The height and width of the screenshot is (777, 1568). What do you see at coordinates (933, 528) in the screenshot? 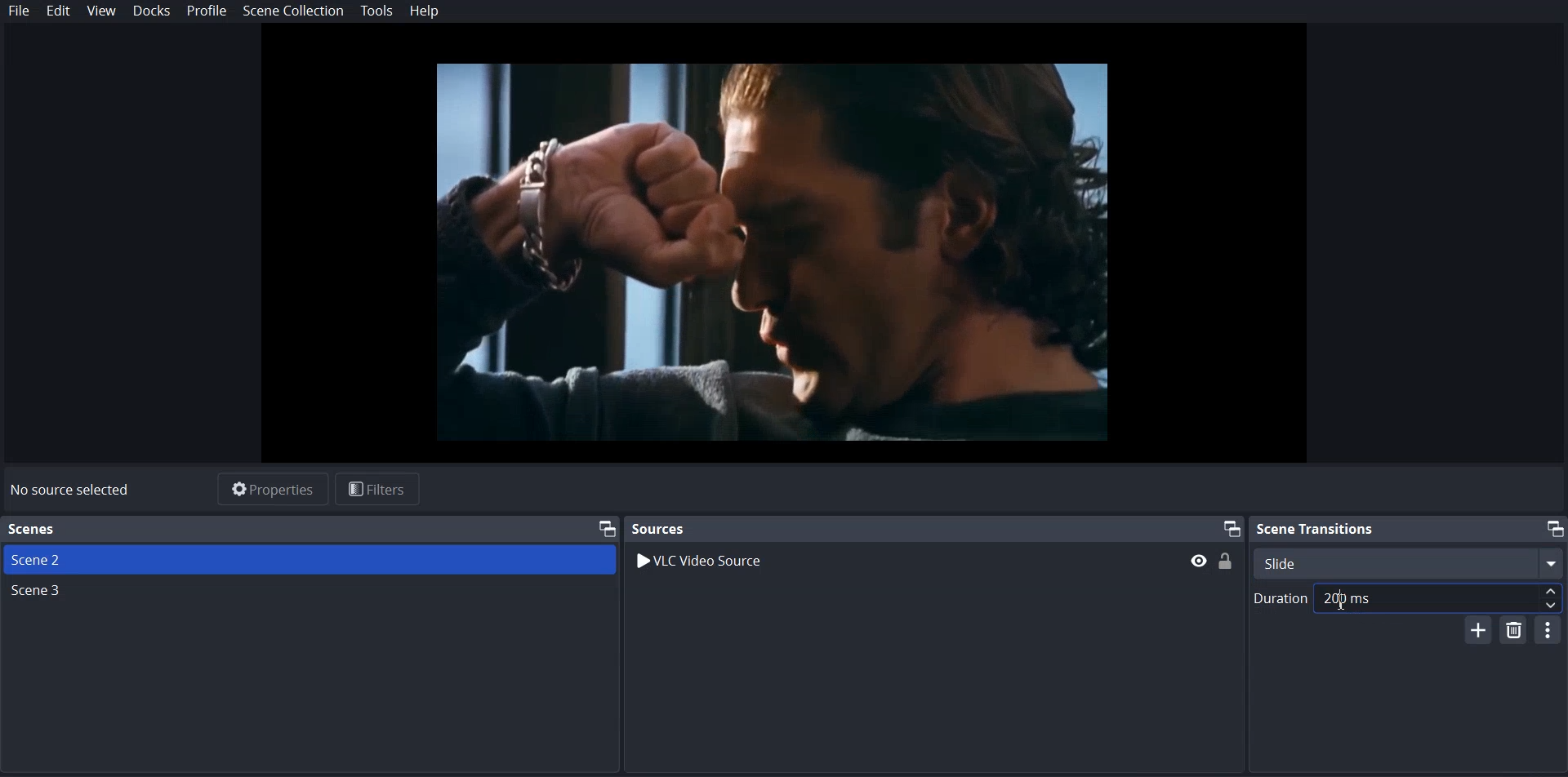
I see `Sources` at bounding box center [933, 528].